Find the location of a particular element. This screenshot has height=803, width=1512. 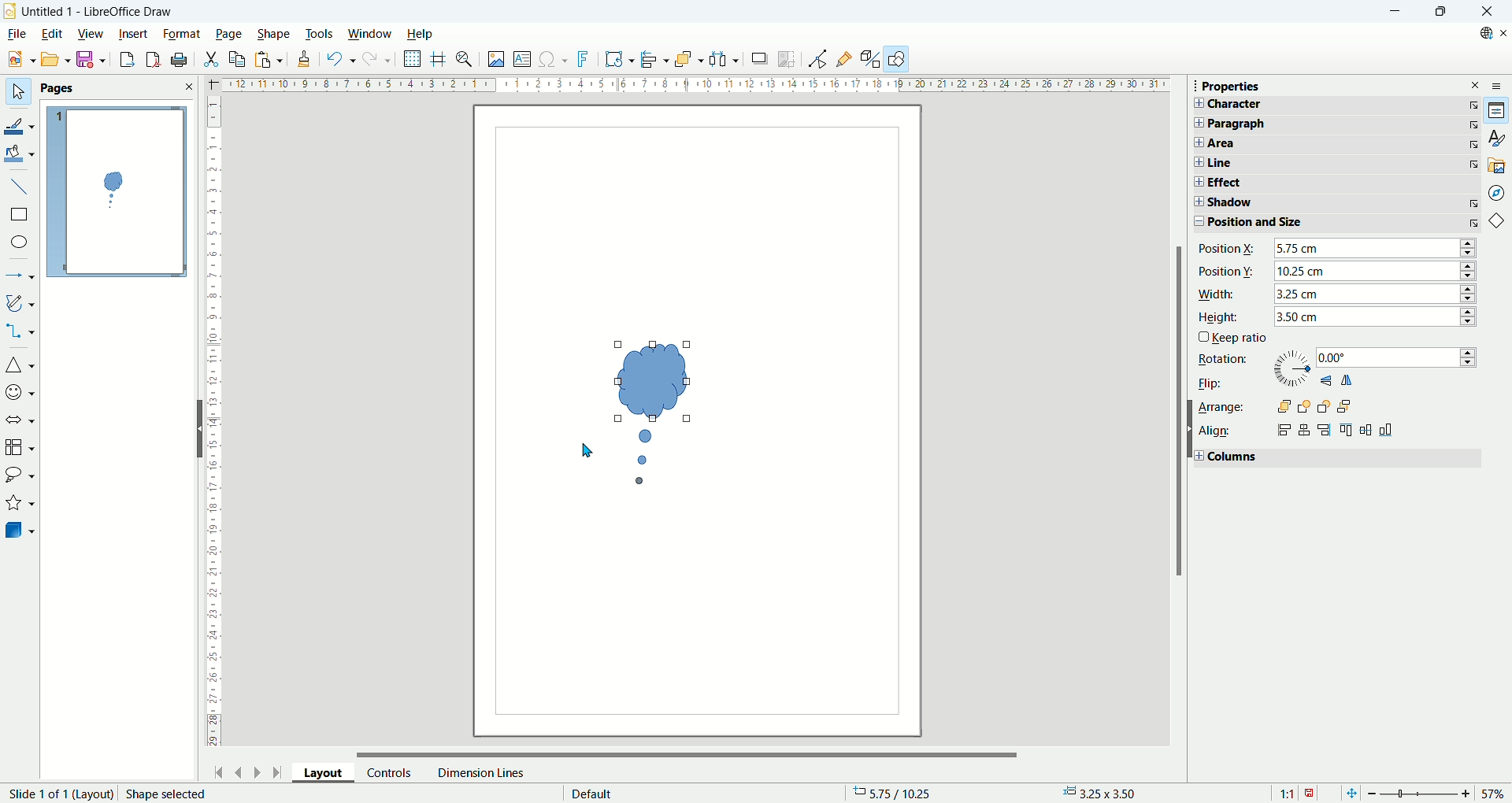

zoom factor is located at coordinates (1436, 792).